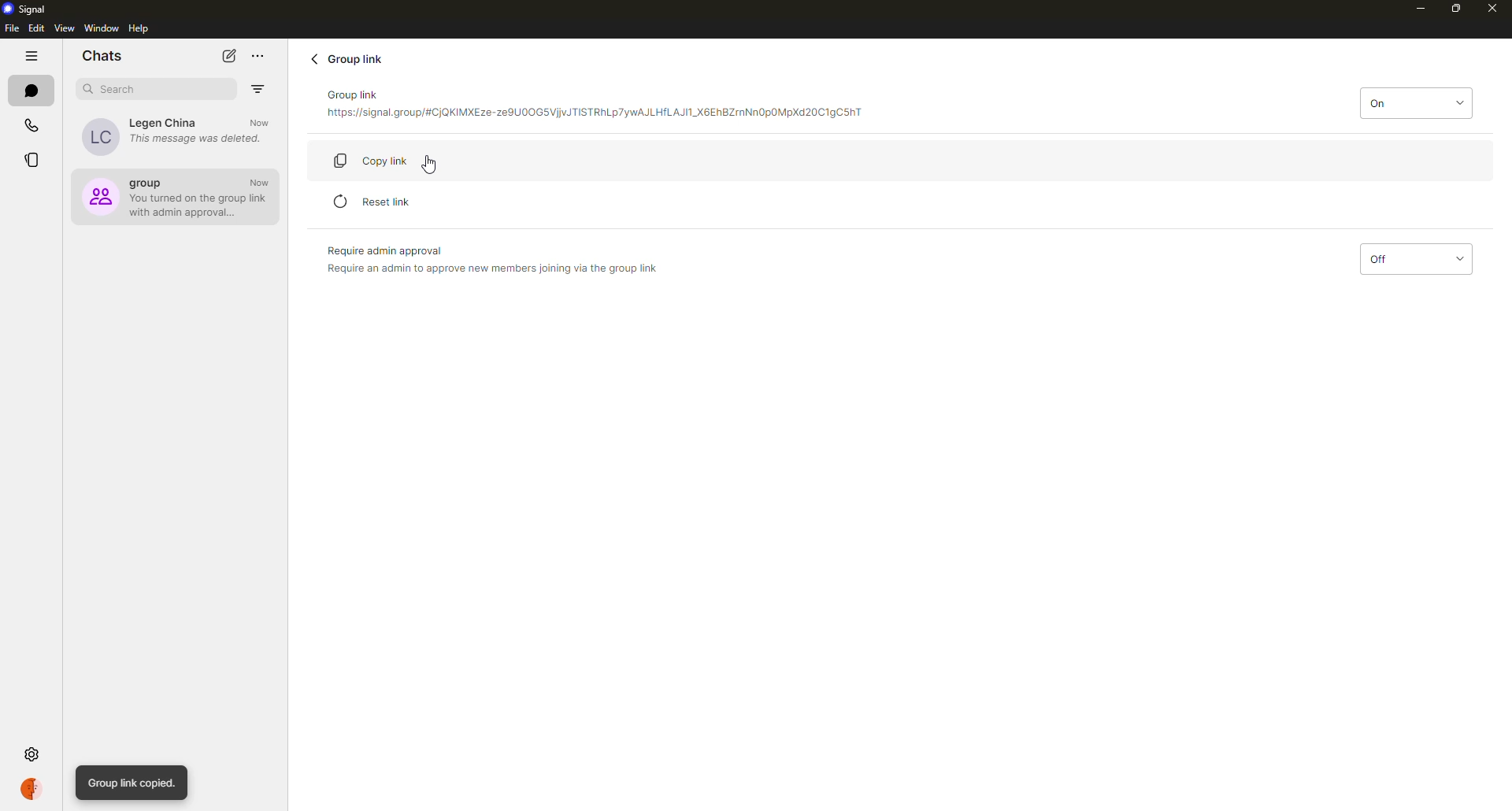  I want to click on reset link, so click(376, 201).